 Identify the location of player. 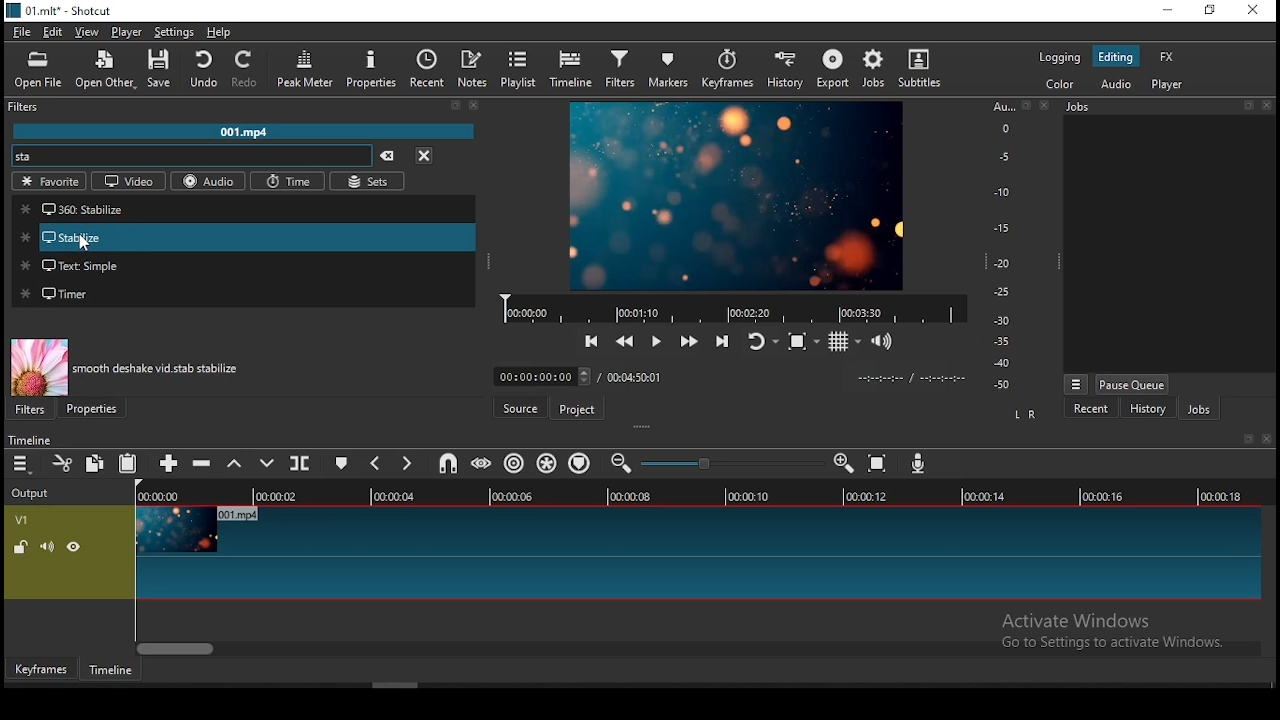
(125, 32).